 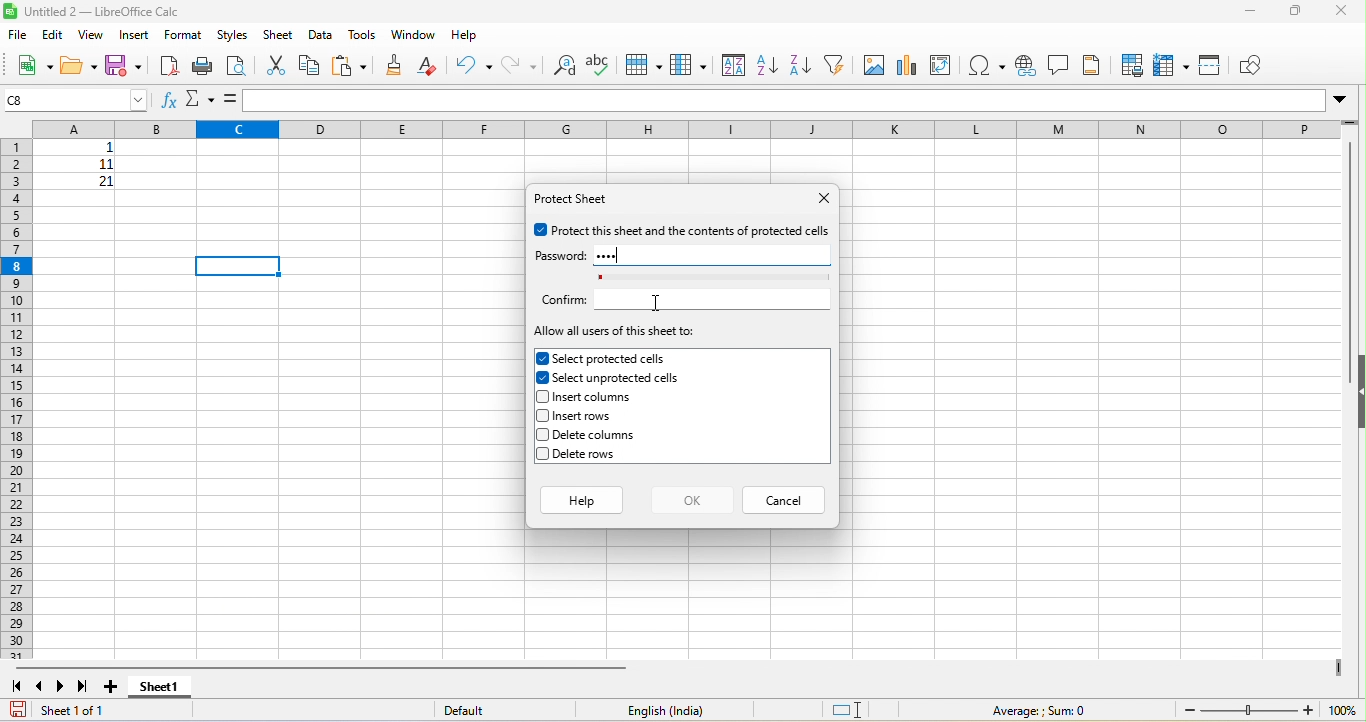 What do you see at coordinates (124, 66) in the screenshot?
I see `save` at bounding box center [124, 66].